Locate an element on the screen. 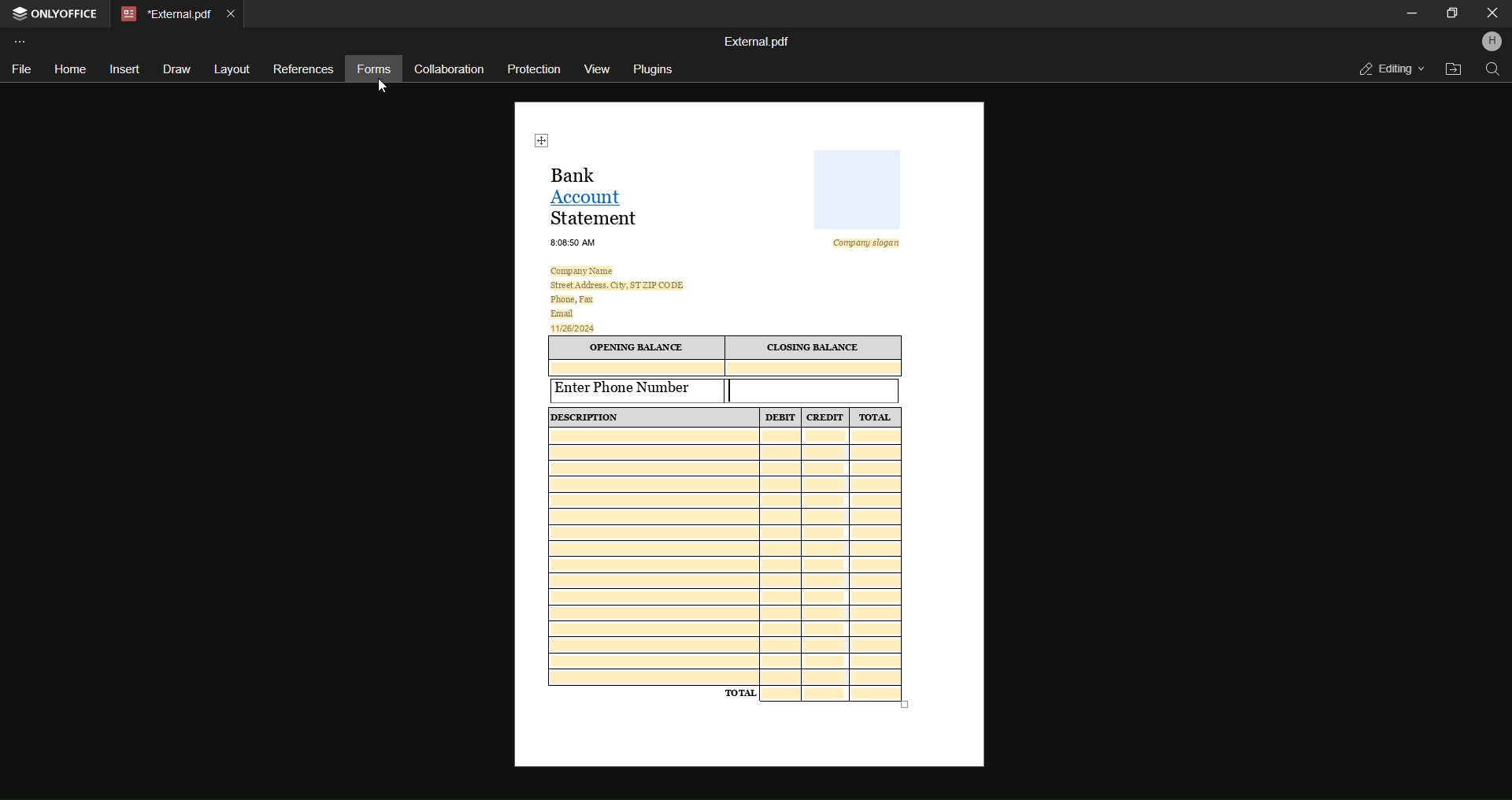 Image resolution: width=1512 pixels, height=800 pixels. insert is located at coordinates (124, 68).